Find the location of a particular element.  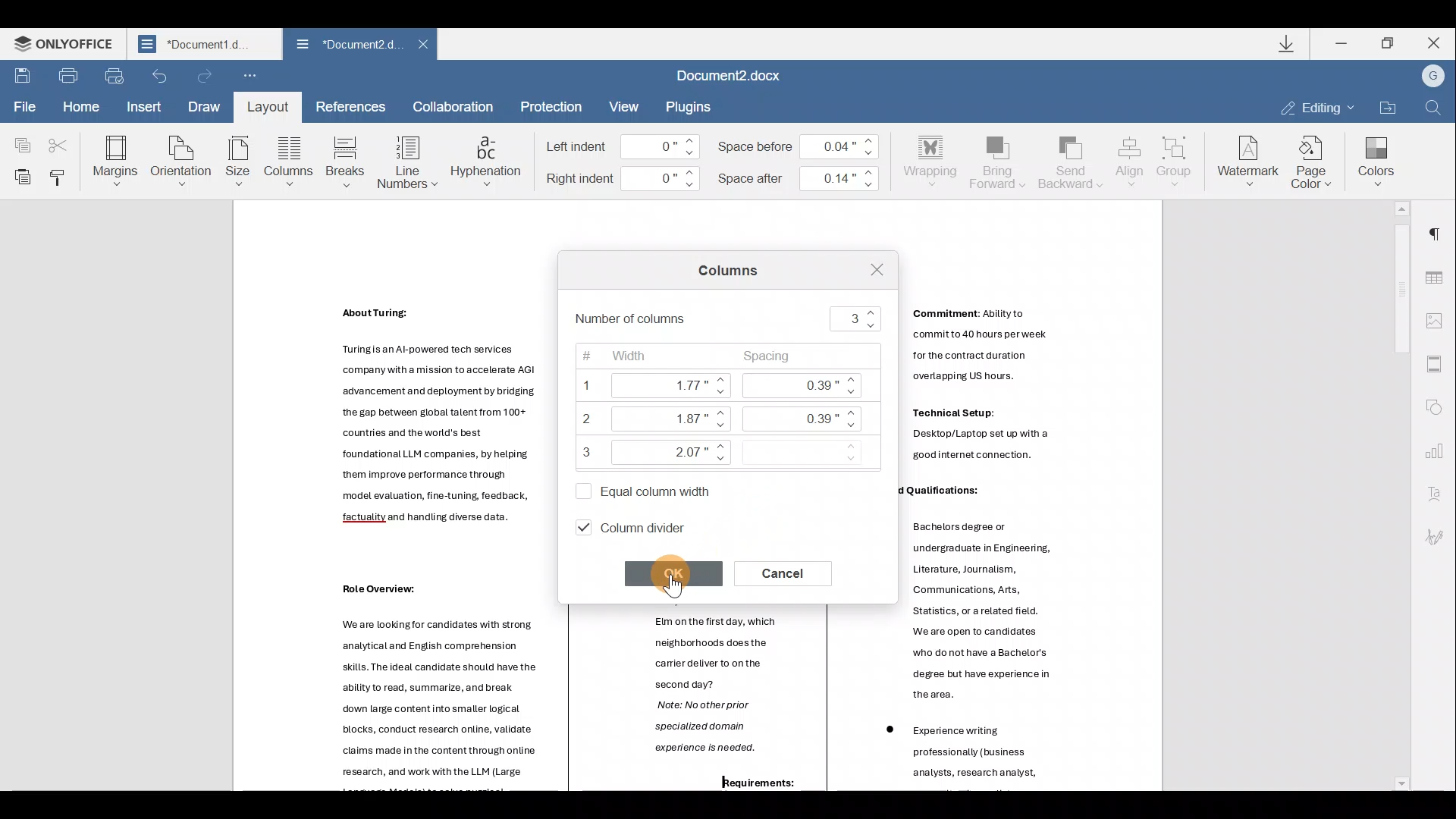

Undo is located at coordinates (159, 76).